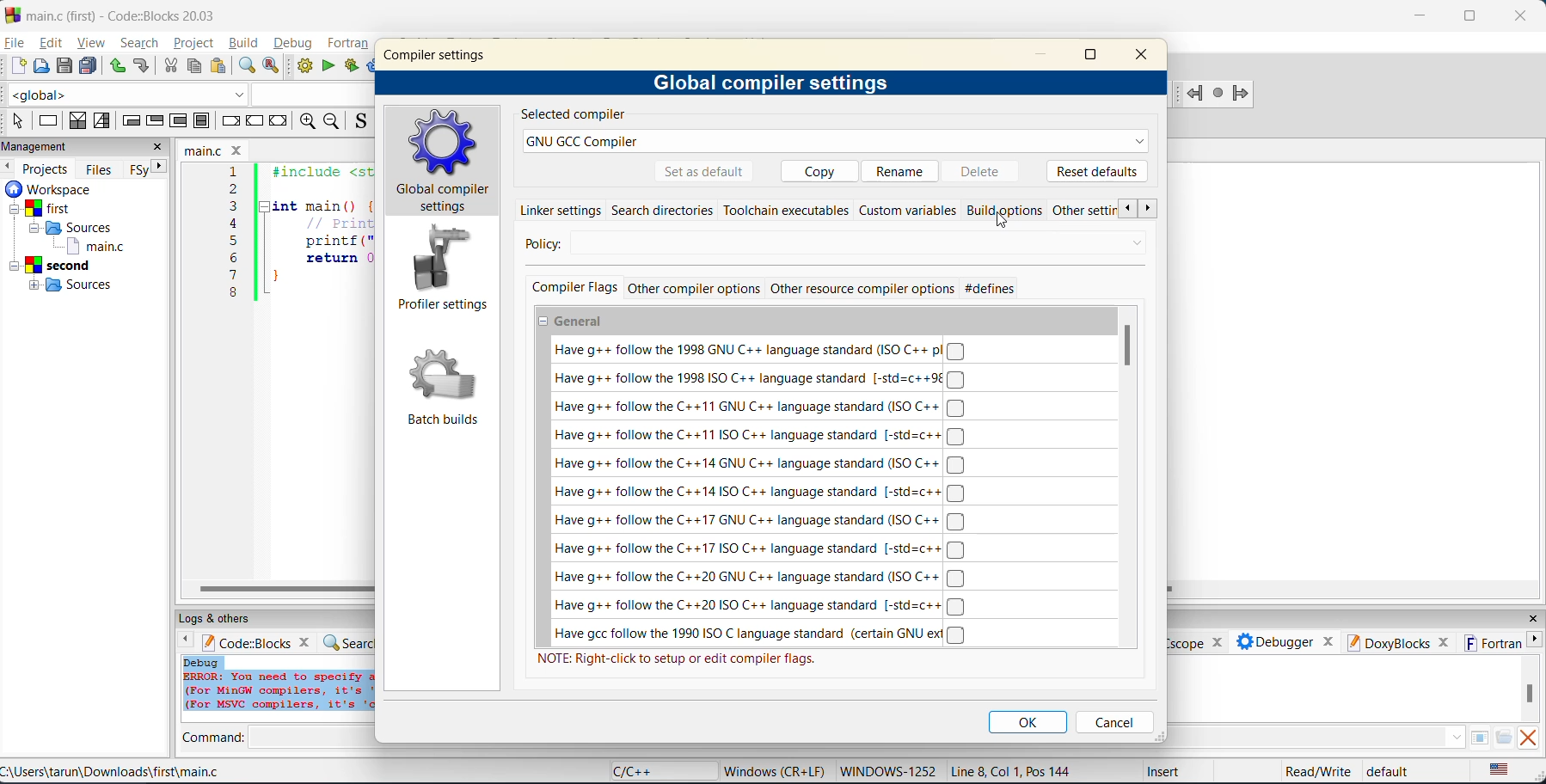 The image size is (1546, 784). I want to click on save everything, so click(90, 66).